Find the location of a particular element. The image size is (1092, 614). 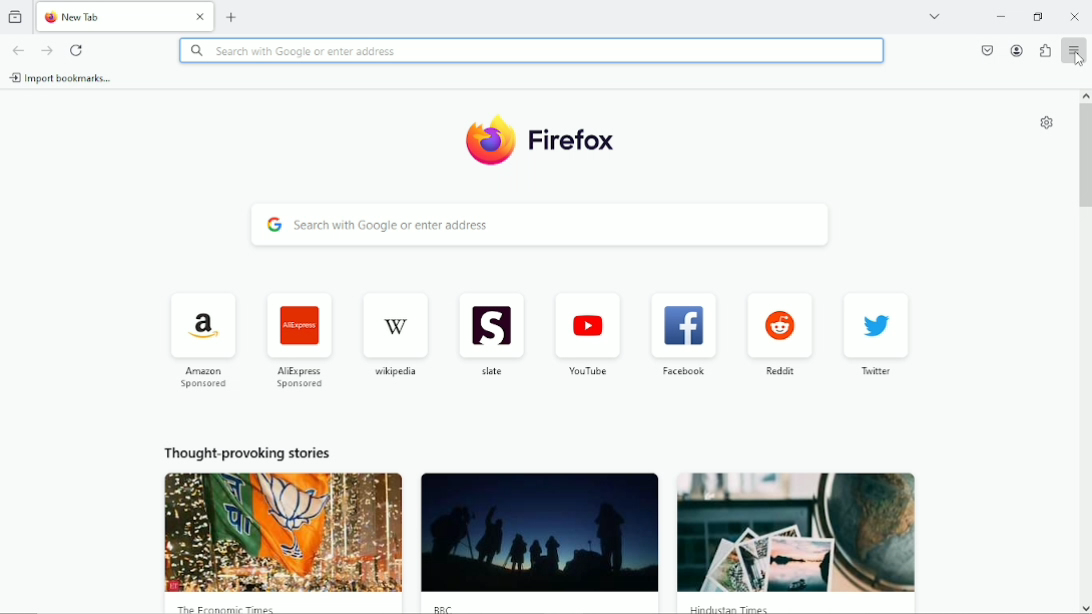

Reddit is located at coordinates (780, 330).